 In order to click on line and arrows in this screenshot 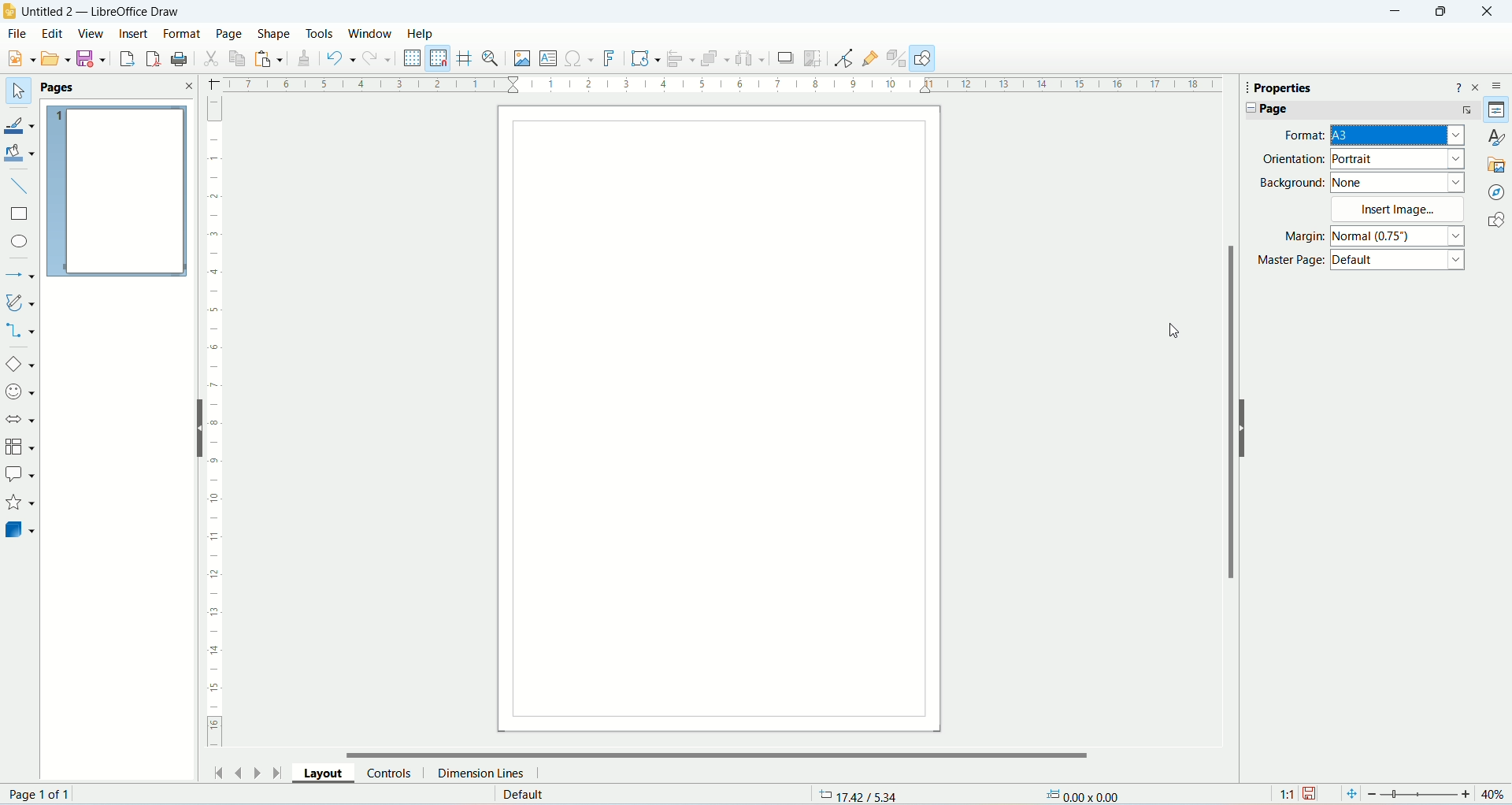, I will do `click(20, 274)`.